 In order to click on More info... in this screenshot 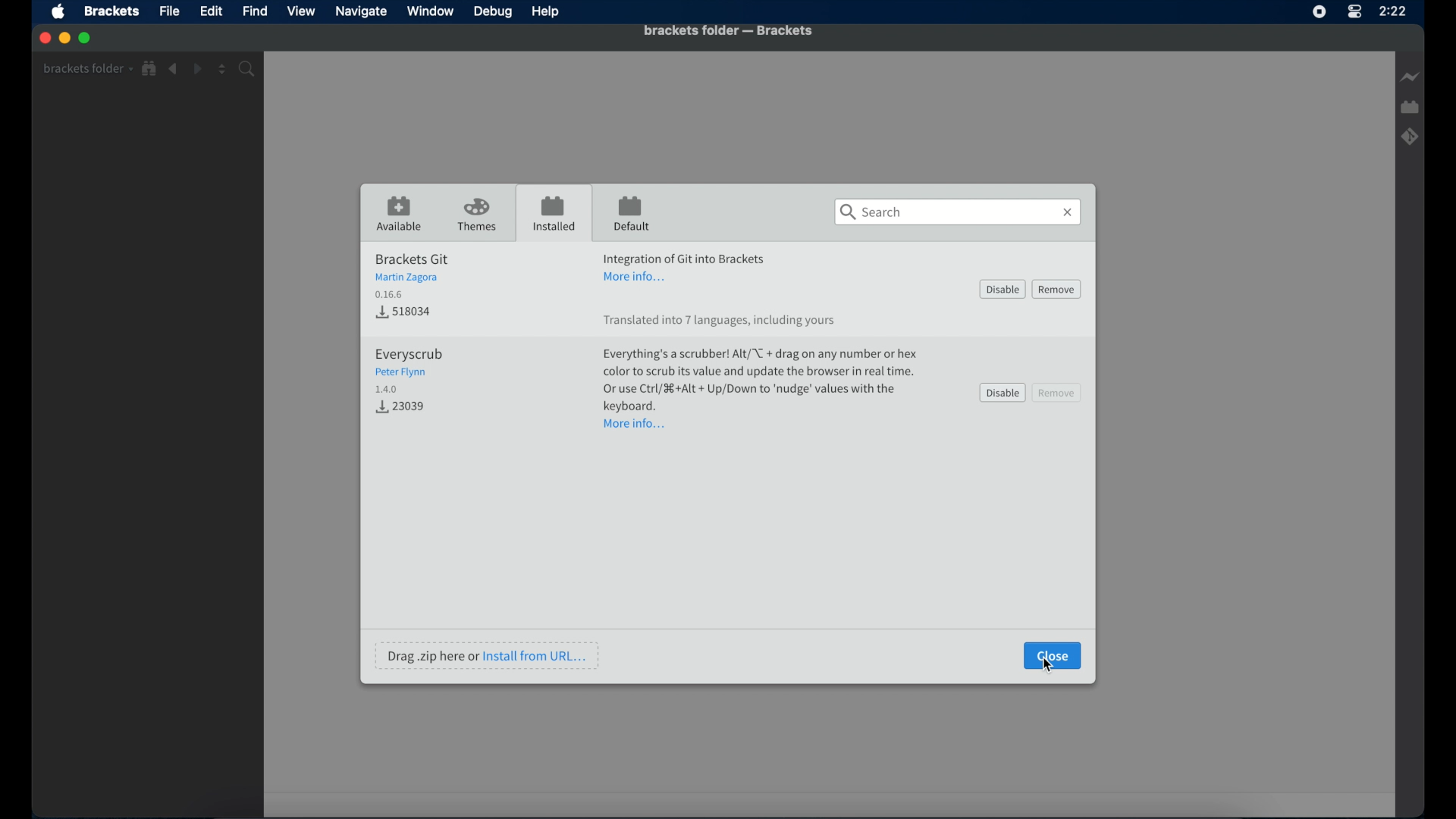, I will do `click(636, 424)`.